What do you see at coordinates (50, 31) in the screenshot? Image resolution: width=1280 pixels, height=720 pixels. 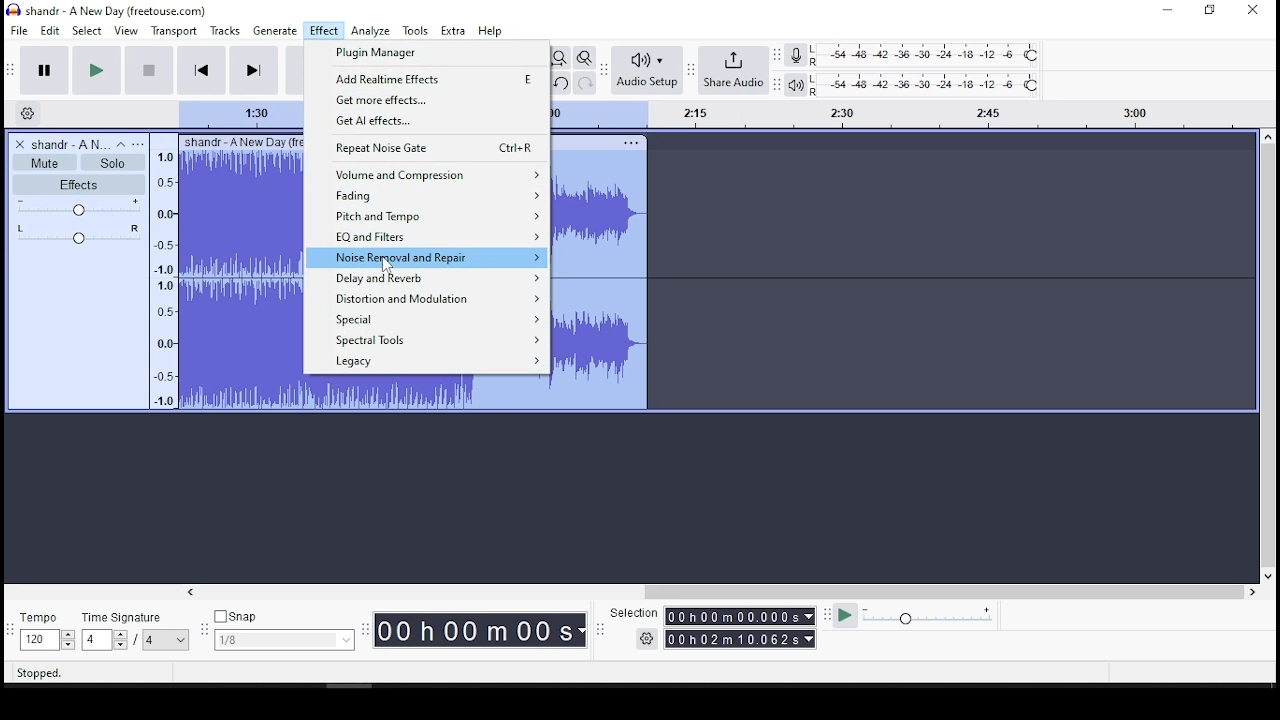 I see `edit` at bounding box center [50, 31].